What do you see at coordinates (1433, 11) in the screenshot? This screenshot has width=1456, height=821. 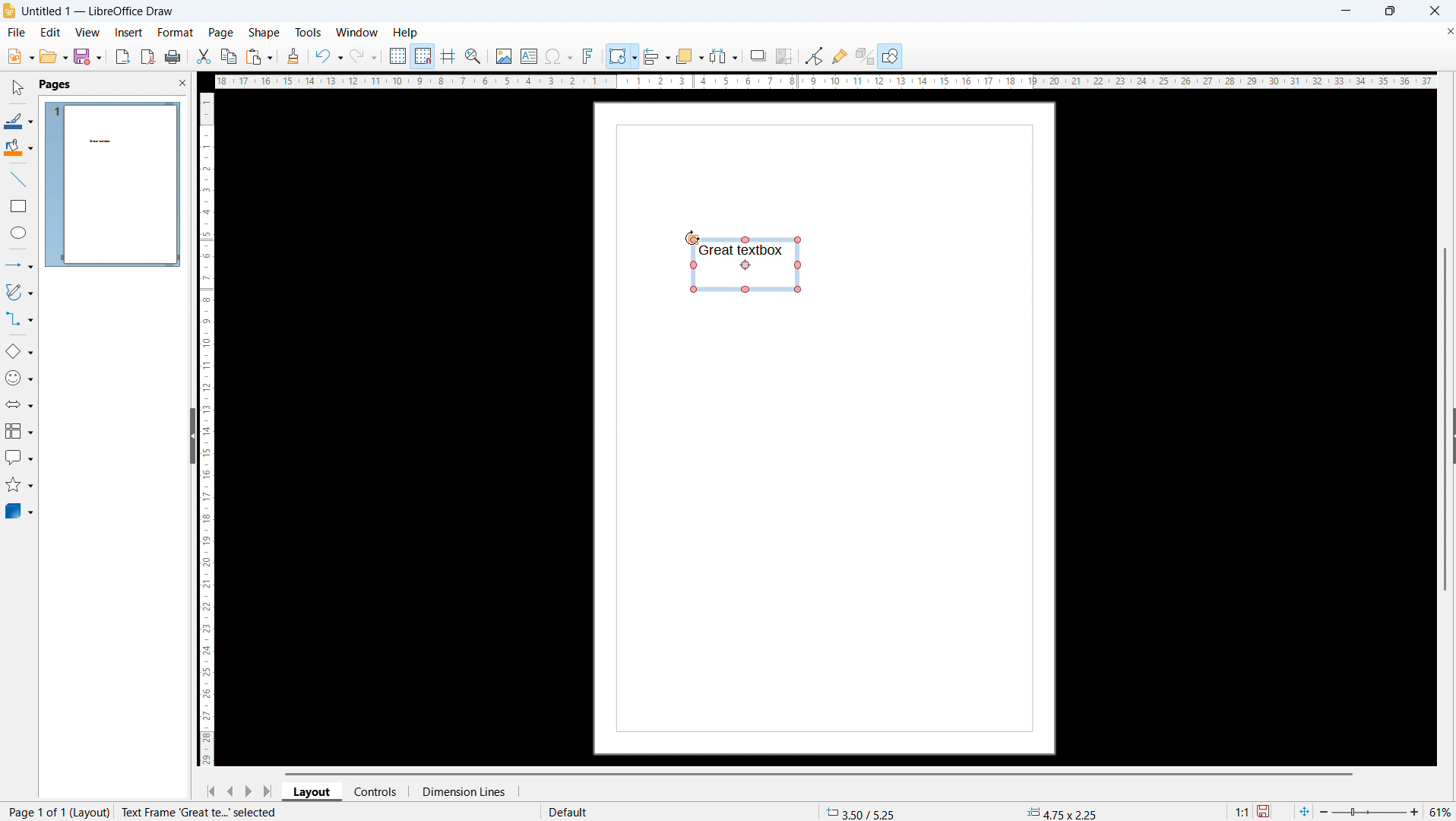 I see `Close ` at bounding box center [1433, 11].